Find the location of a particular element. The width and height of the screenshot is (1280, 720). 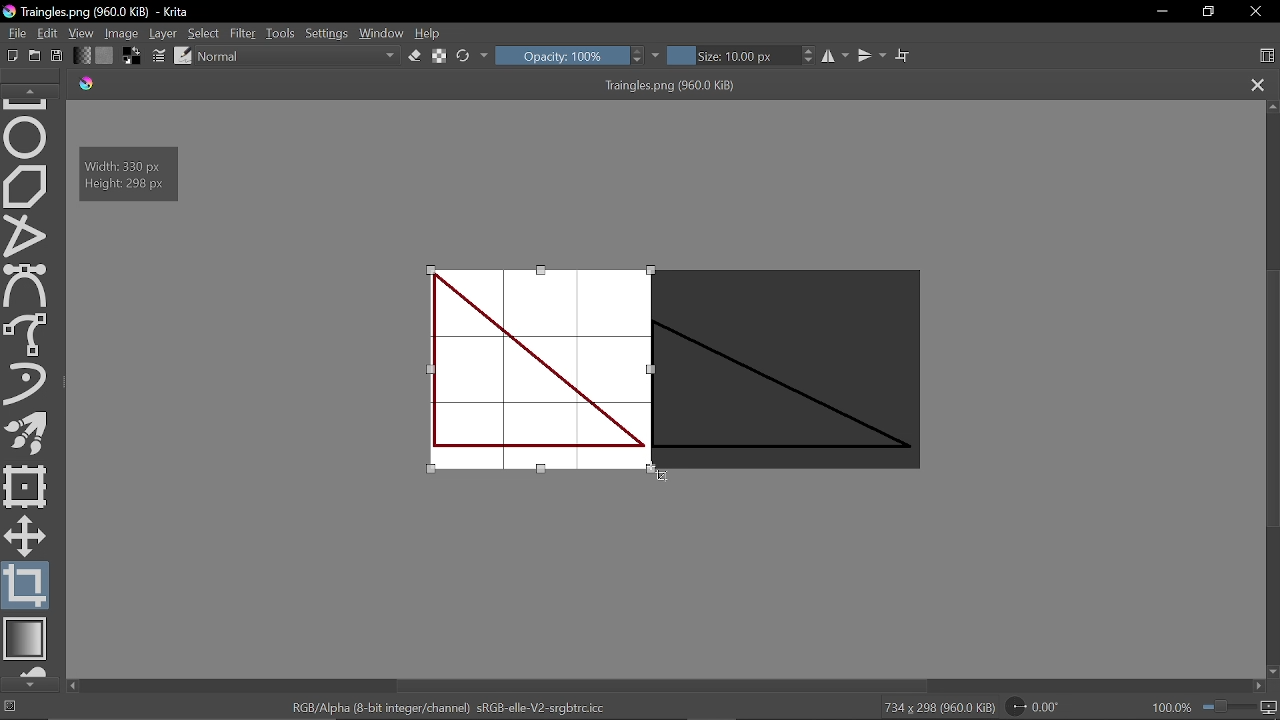

Close is located at coordinates (1258, 13).